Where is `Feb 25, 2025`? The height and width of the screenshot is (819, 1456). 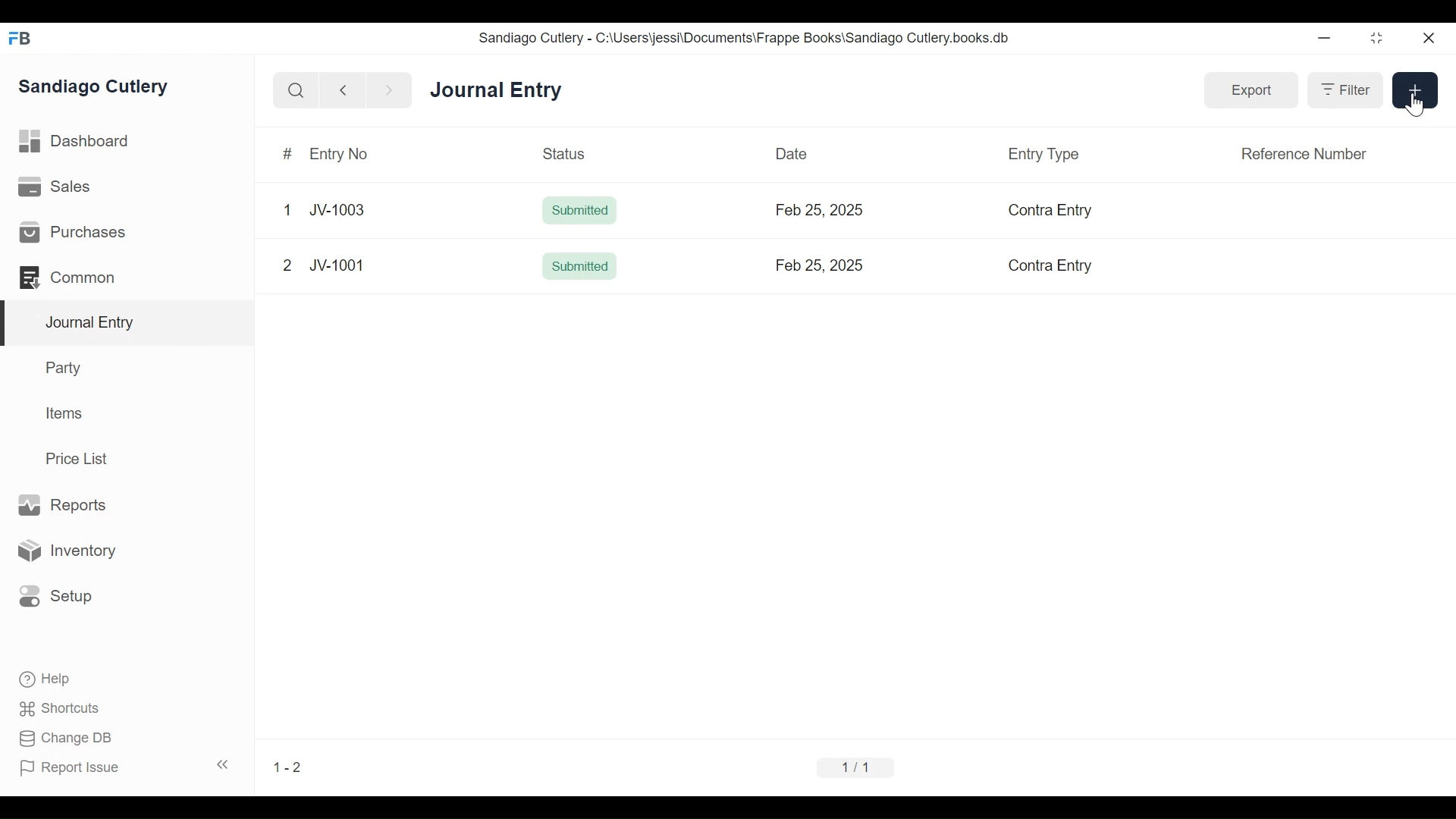 Feb 25, 2025 is located at coordinates (820, 210).